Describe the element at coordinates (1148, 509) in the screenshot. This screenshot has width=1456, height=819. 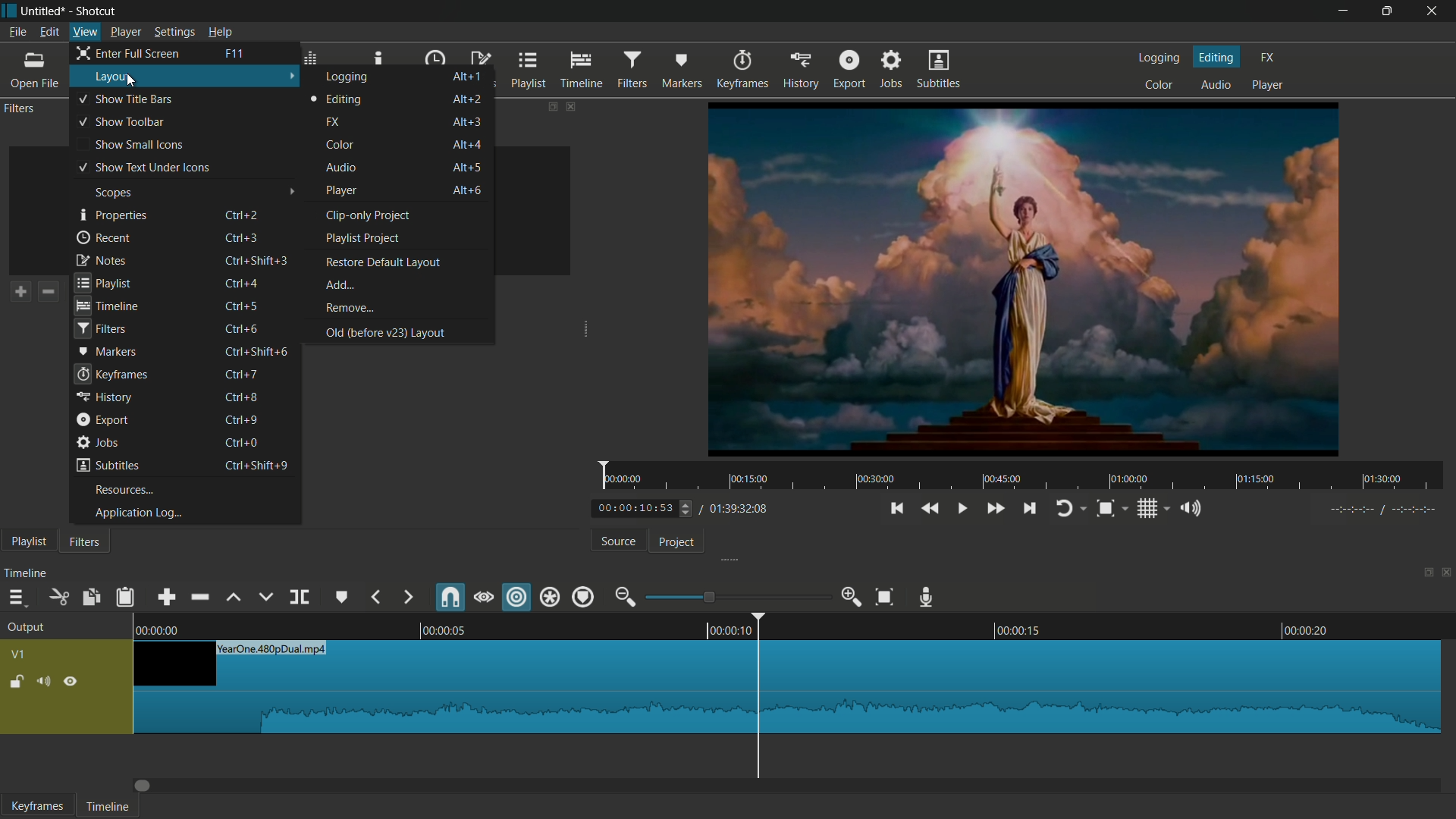
I see `toggle grid` at that location.